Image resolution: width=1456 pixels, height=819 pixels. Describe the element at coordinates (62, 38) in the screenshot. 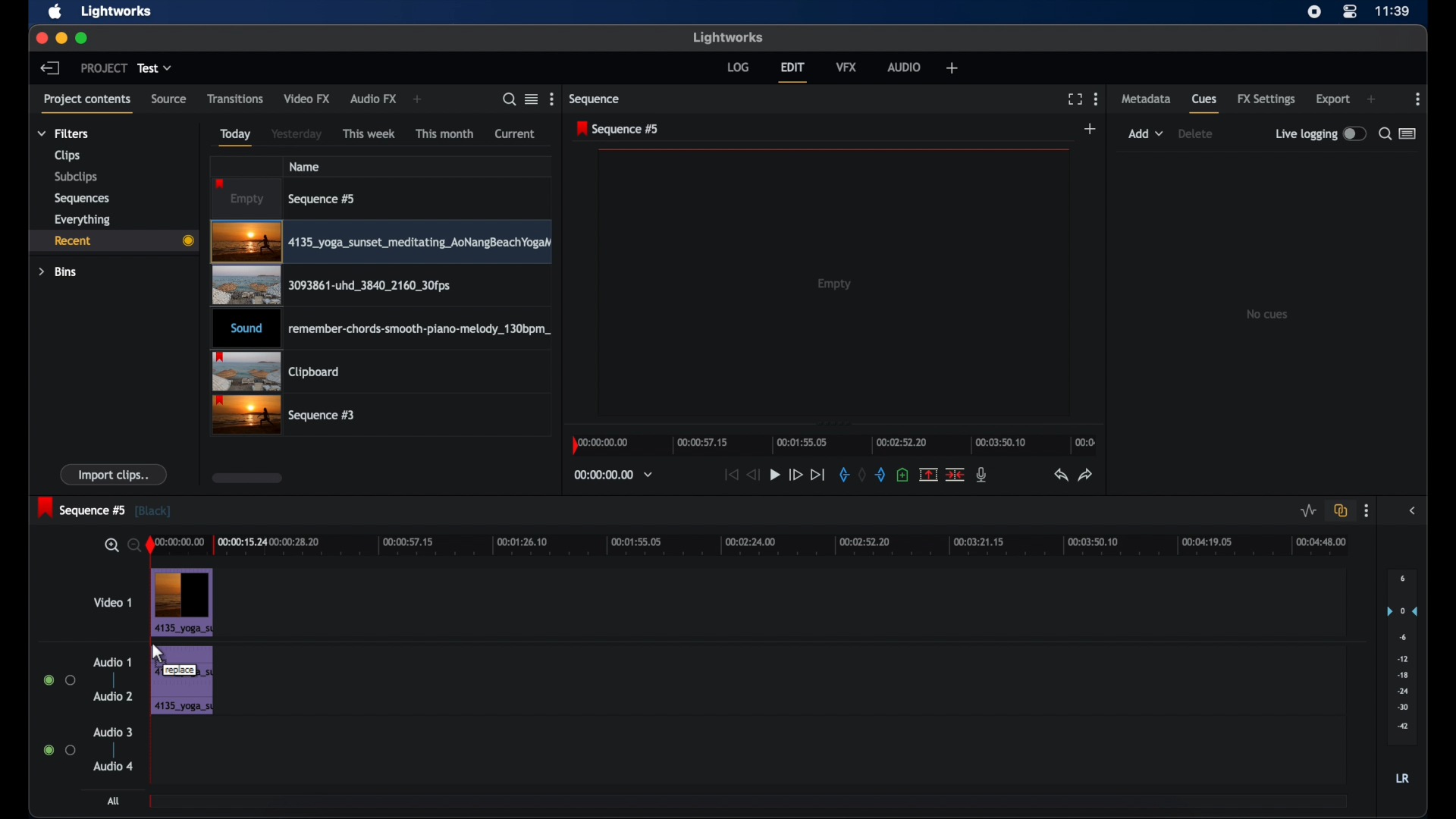

I see `minimize` at that location.